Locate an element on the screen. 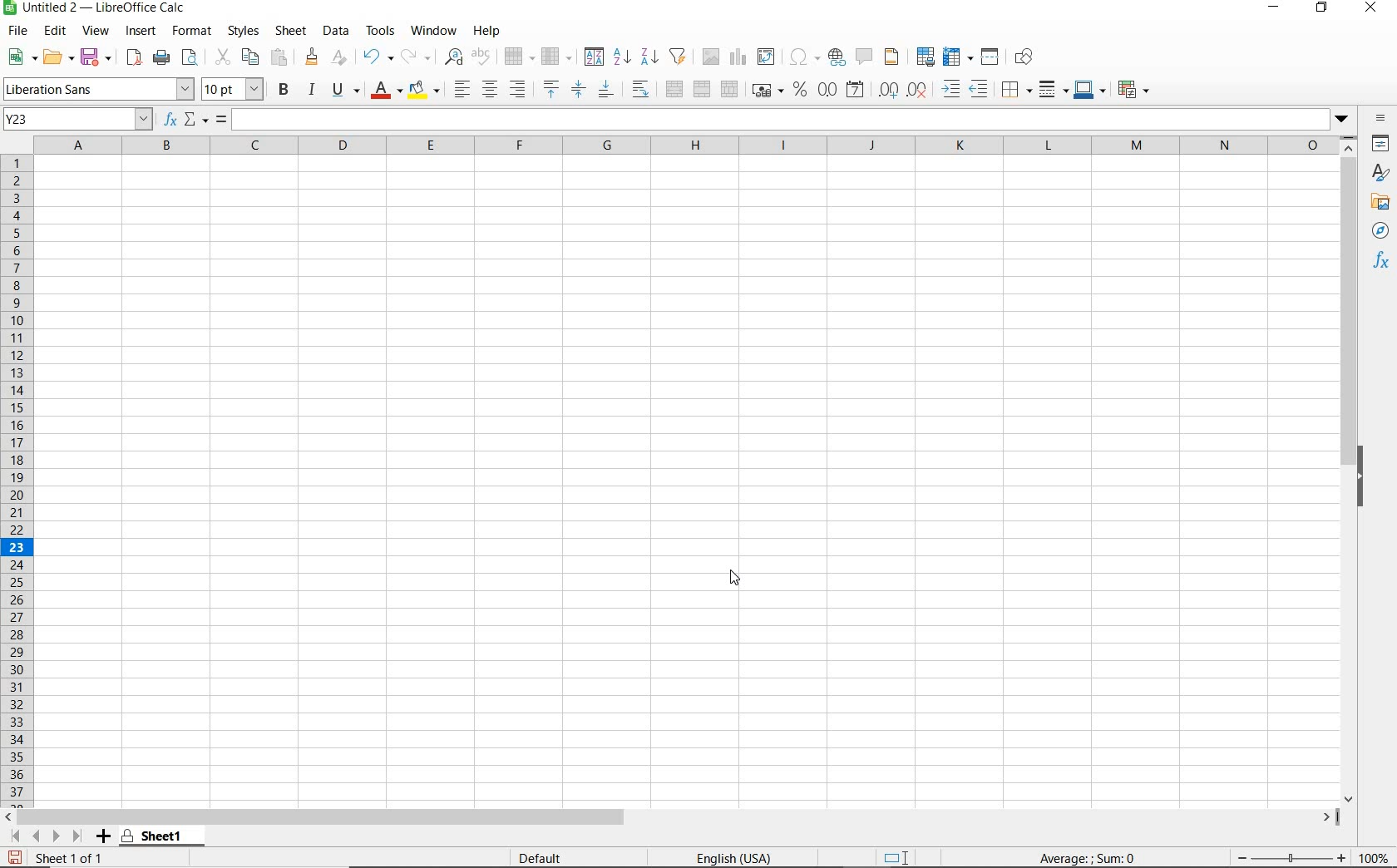 The height and width of the screenshot is (868, 1397). FORMAT AS DATE is located at coordinates (854, 90).